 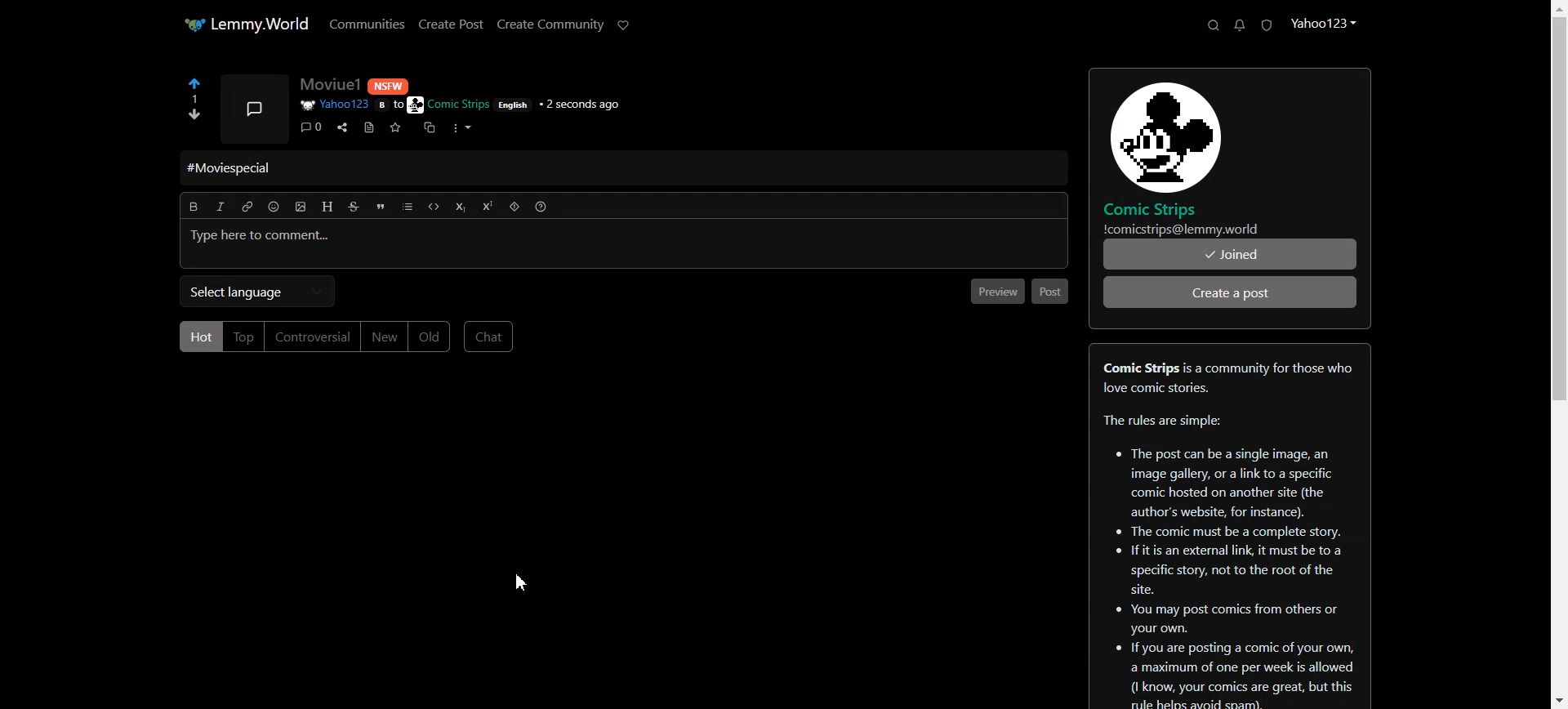 What do you see at coordinates (1228, 529) in the screenshot?
I see `Text` at bounding box center [1228, 529].